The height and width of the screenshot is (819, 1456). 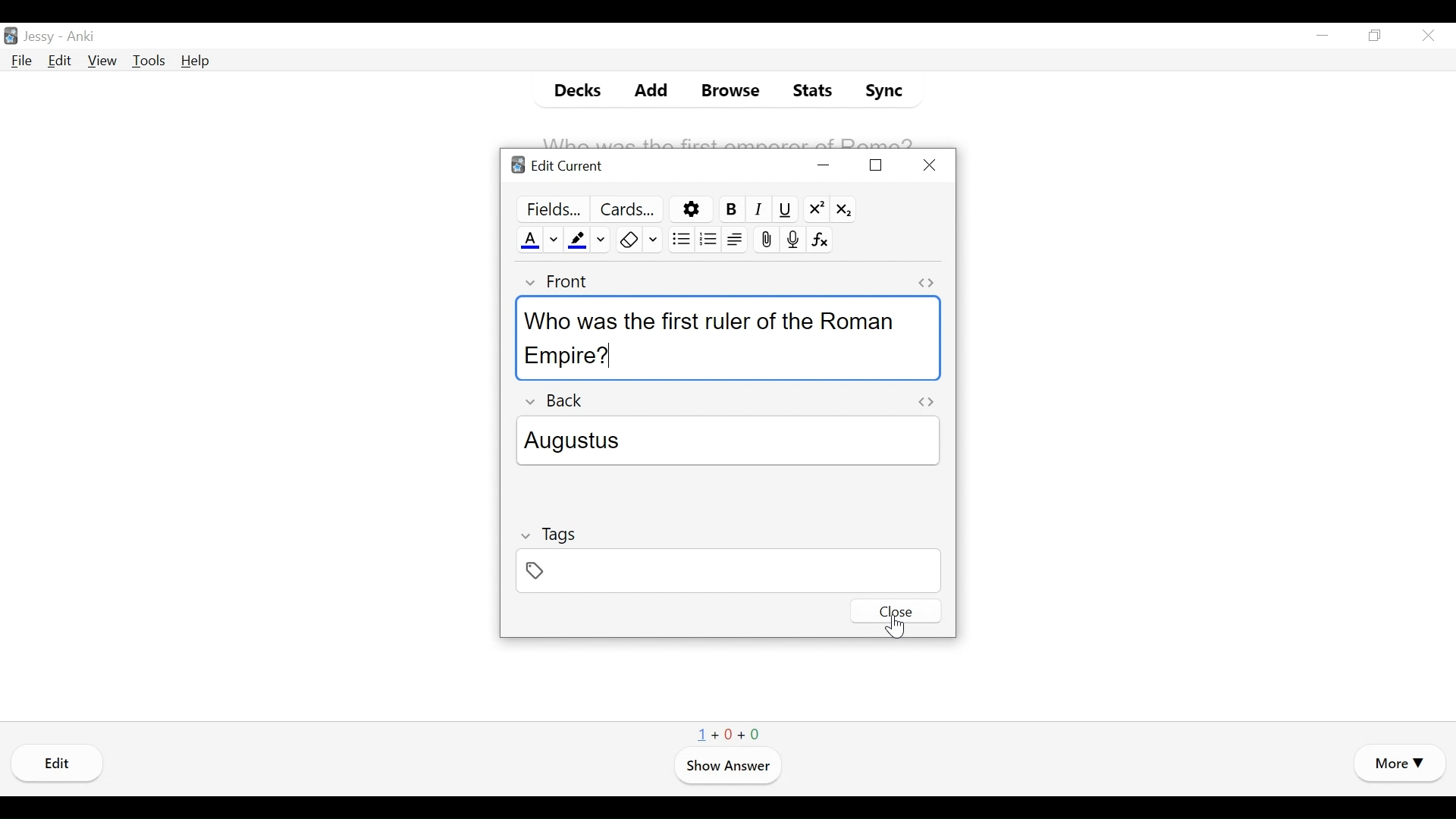 What do you see at coordinates (717, 335) in the screenshot?
I see `Who was the first ruler of the roman Empire?` at bounding box center [717, 335].